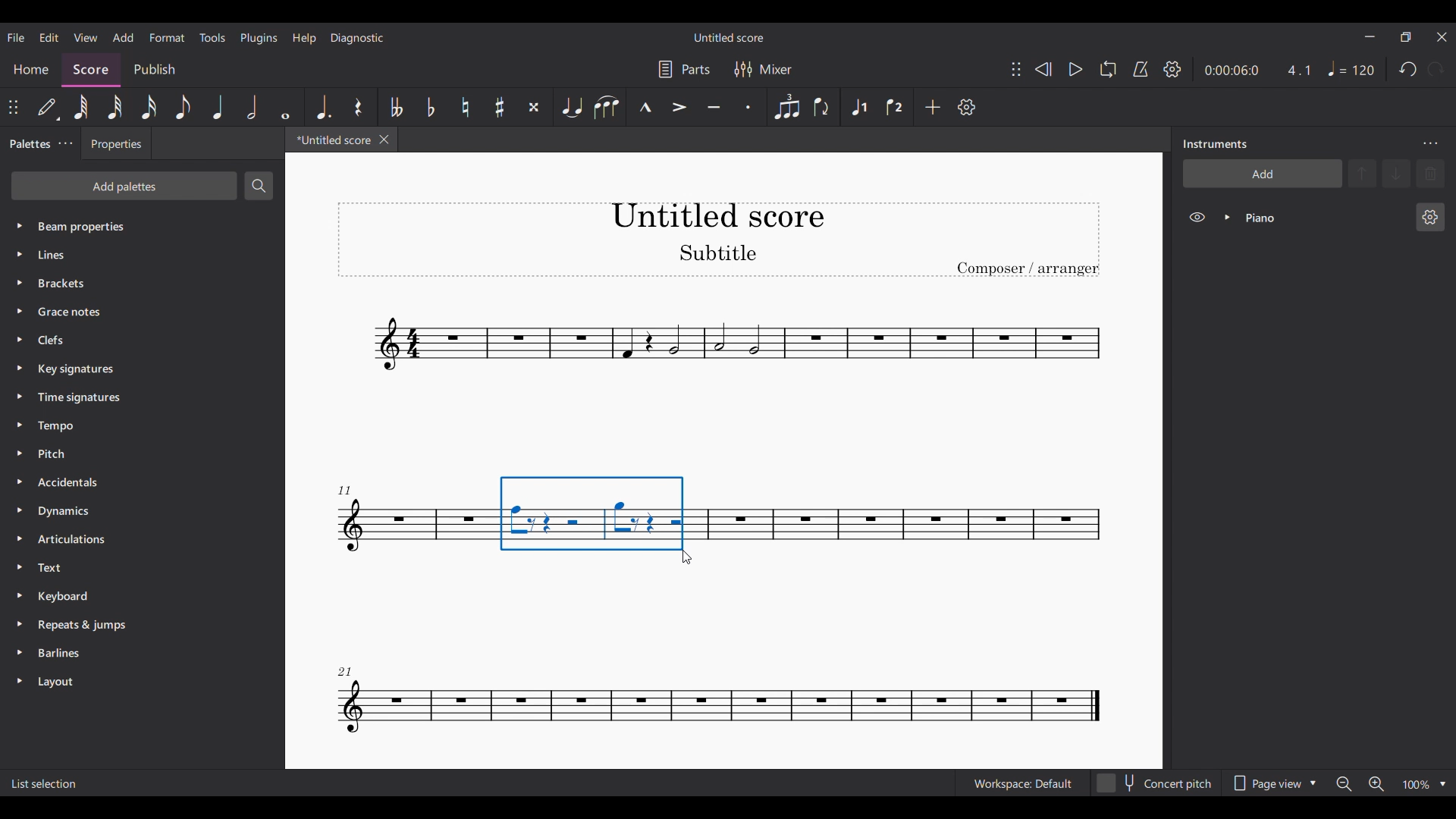 The width and height of the screenshot is (1456, 819). I want to click on Concert pitch, so click(1155, 780).